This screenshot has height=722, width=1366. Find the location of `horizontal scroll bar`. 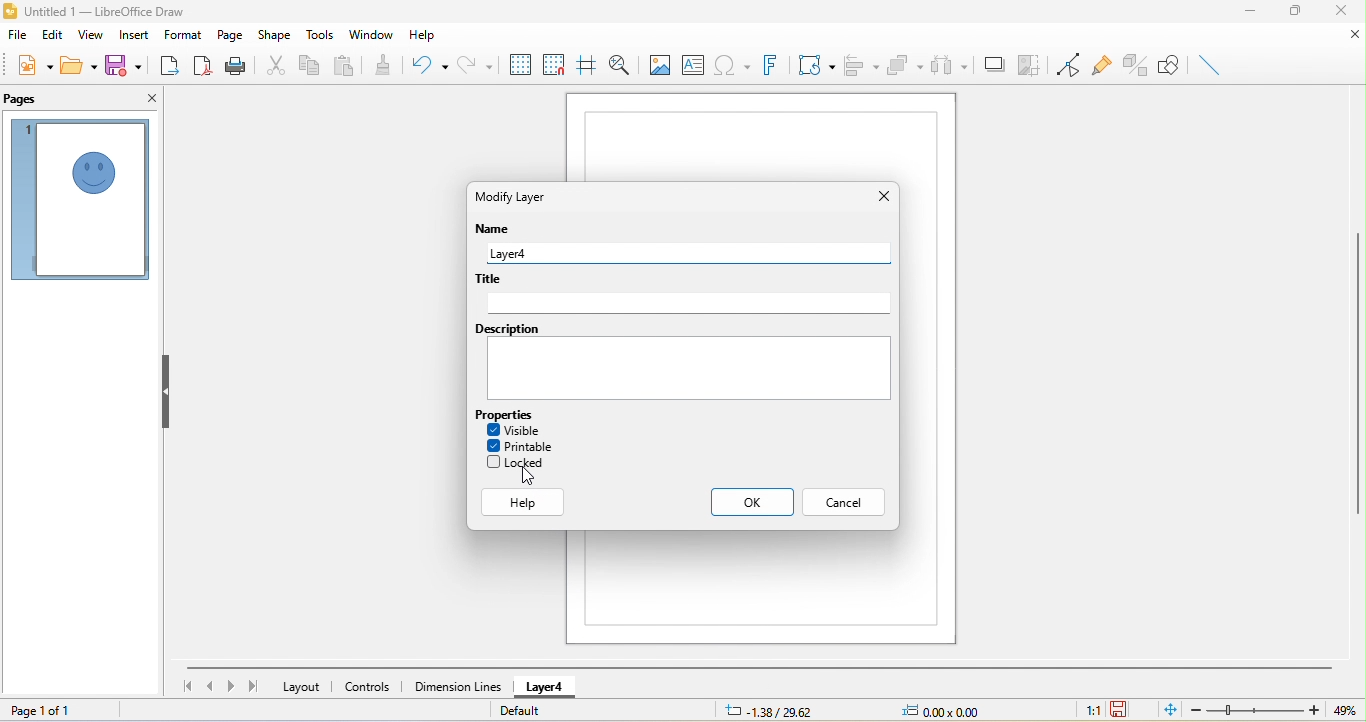

horizontal scroll bar is located at coordinates (761, 667).